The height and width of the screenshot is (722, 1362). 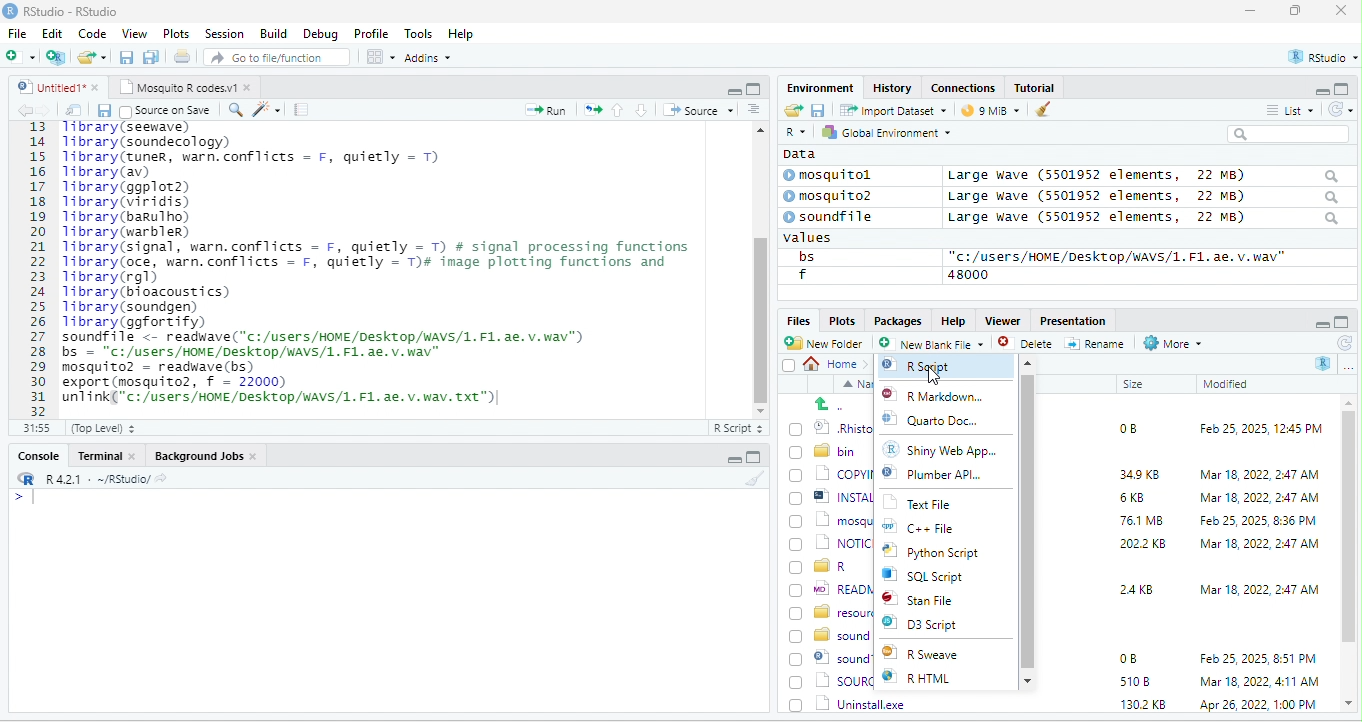 What do you see at coordinates (1127, 659) in the screenshot?
I see `0B` at bounding box center [1127, 659].